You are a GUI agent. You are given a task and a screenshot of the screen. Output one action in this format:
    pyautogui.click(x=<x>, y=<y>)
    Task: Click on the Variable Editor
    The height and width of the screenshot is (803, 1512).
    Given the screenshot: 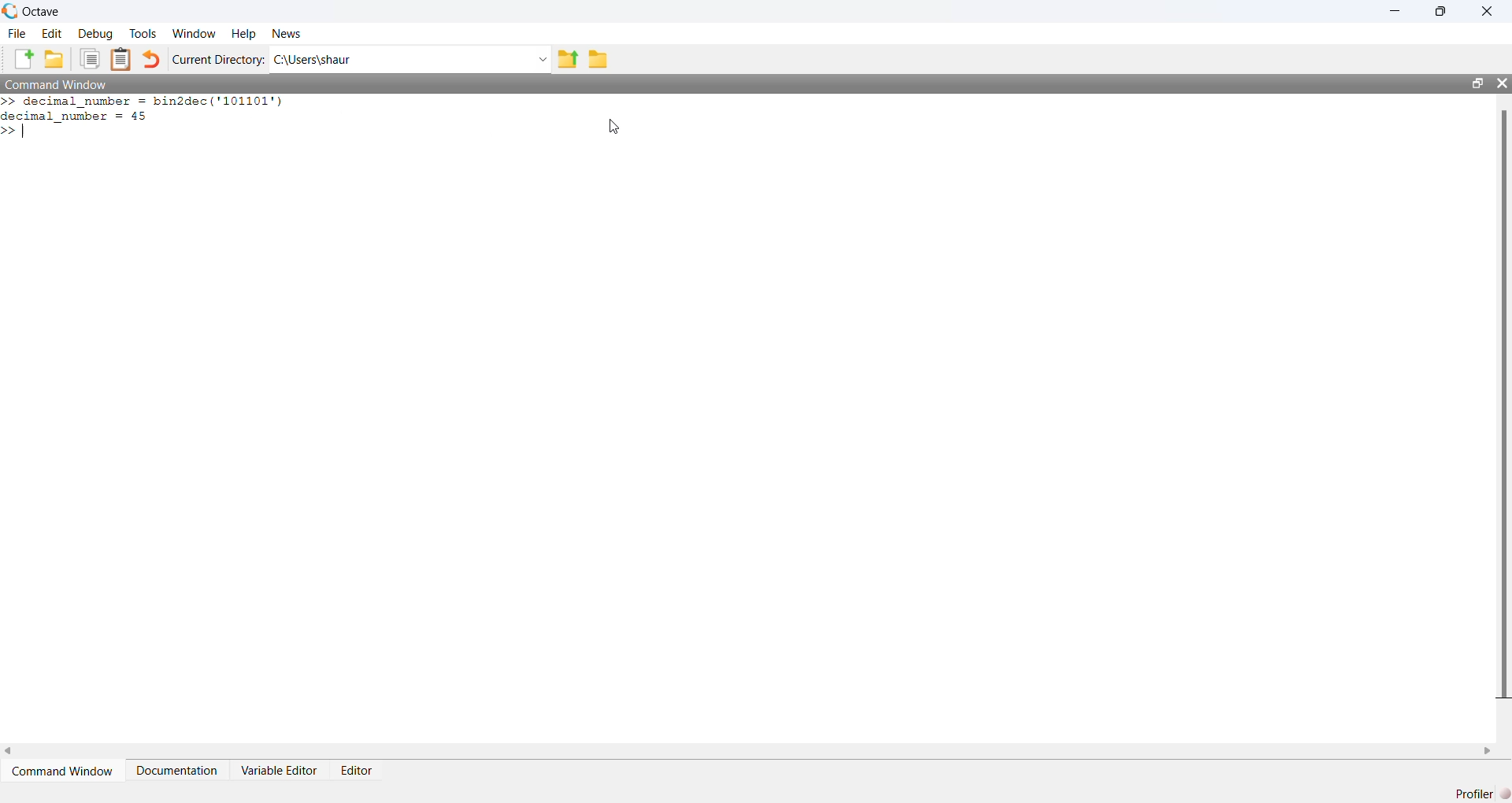 What is the action you would take?
    pyautogui.click(x=280, y=771)
    